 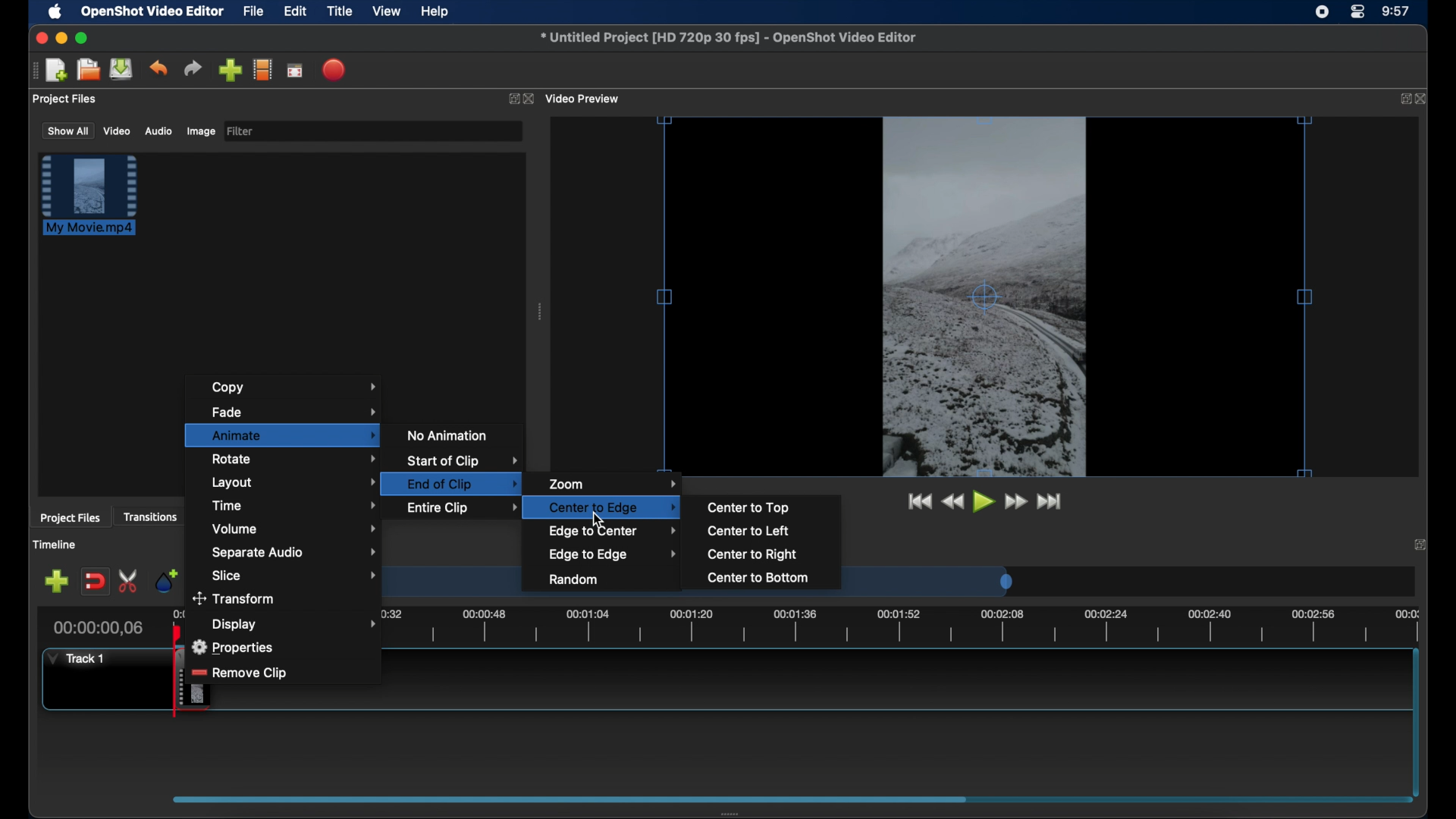 What do you see at coordinates (254, 12) in the screenshot?
I see `file` at bounding box center [254, 12].